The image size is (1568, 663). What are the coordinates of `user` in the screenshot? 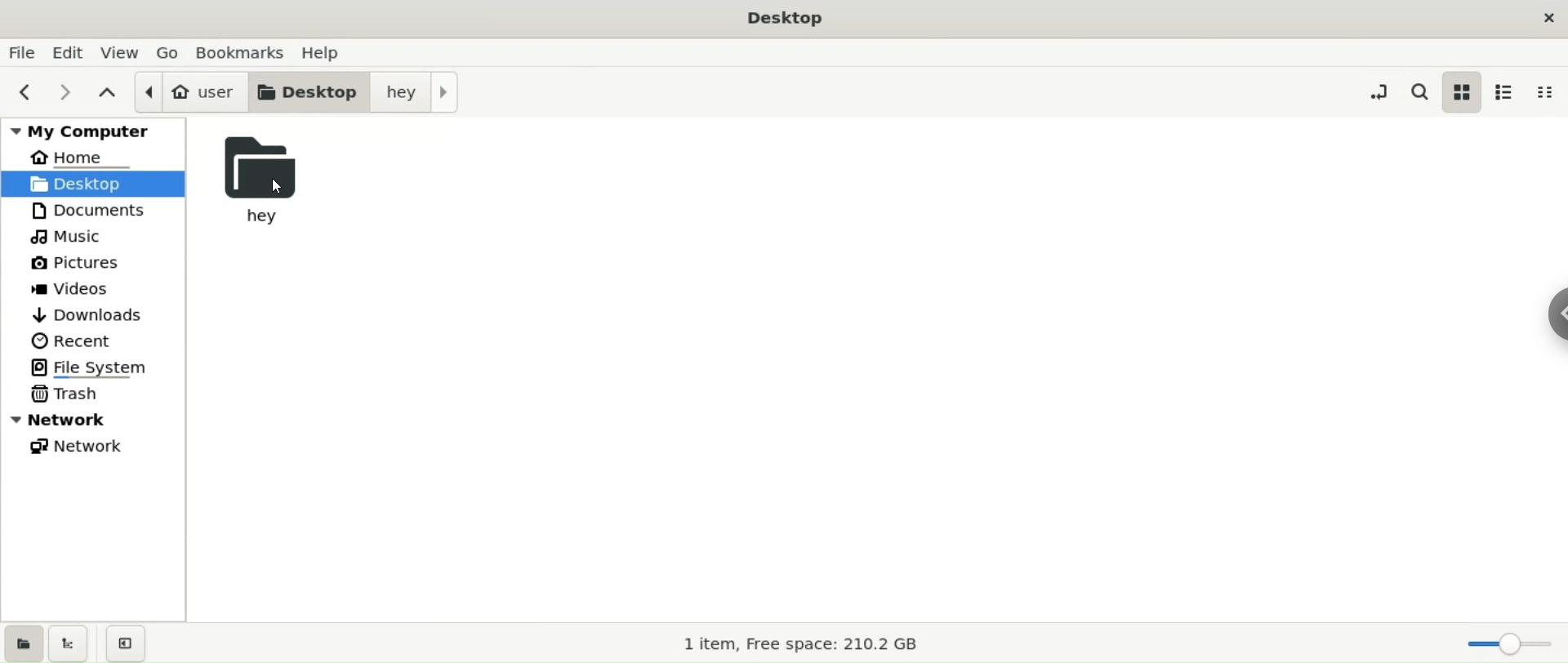 It's located at (189, 90).